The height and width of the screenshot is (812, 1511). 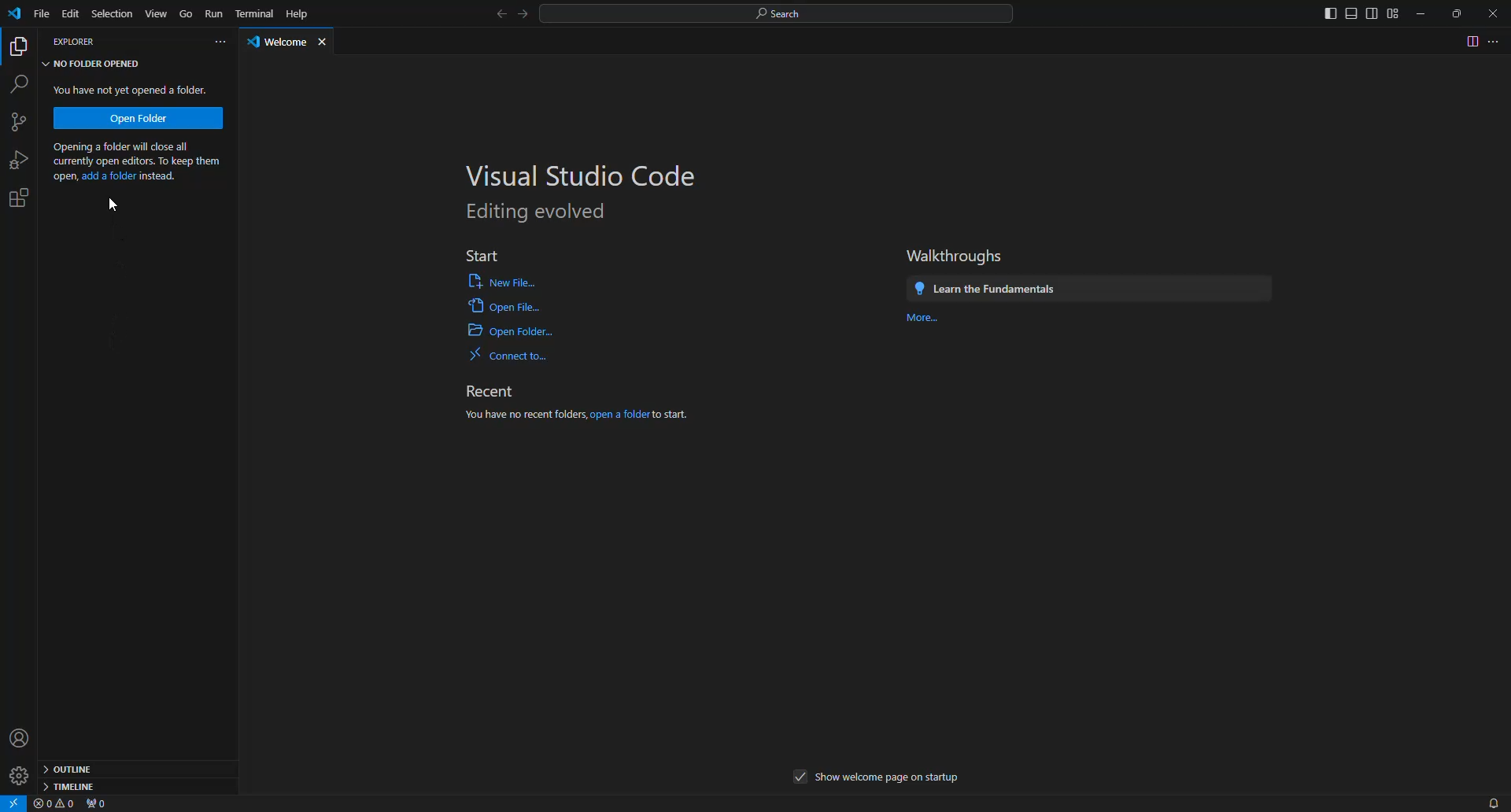 What do you see at coordinates (72, 767) in the screenshot?
I see `outline` at bounding box center [72, 767].